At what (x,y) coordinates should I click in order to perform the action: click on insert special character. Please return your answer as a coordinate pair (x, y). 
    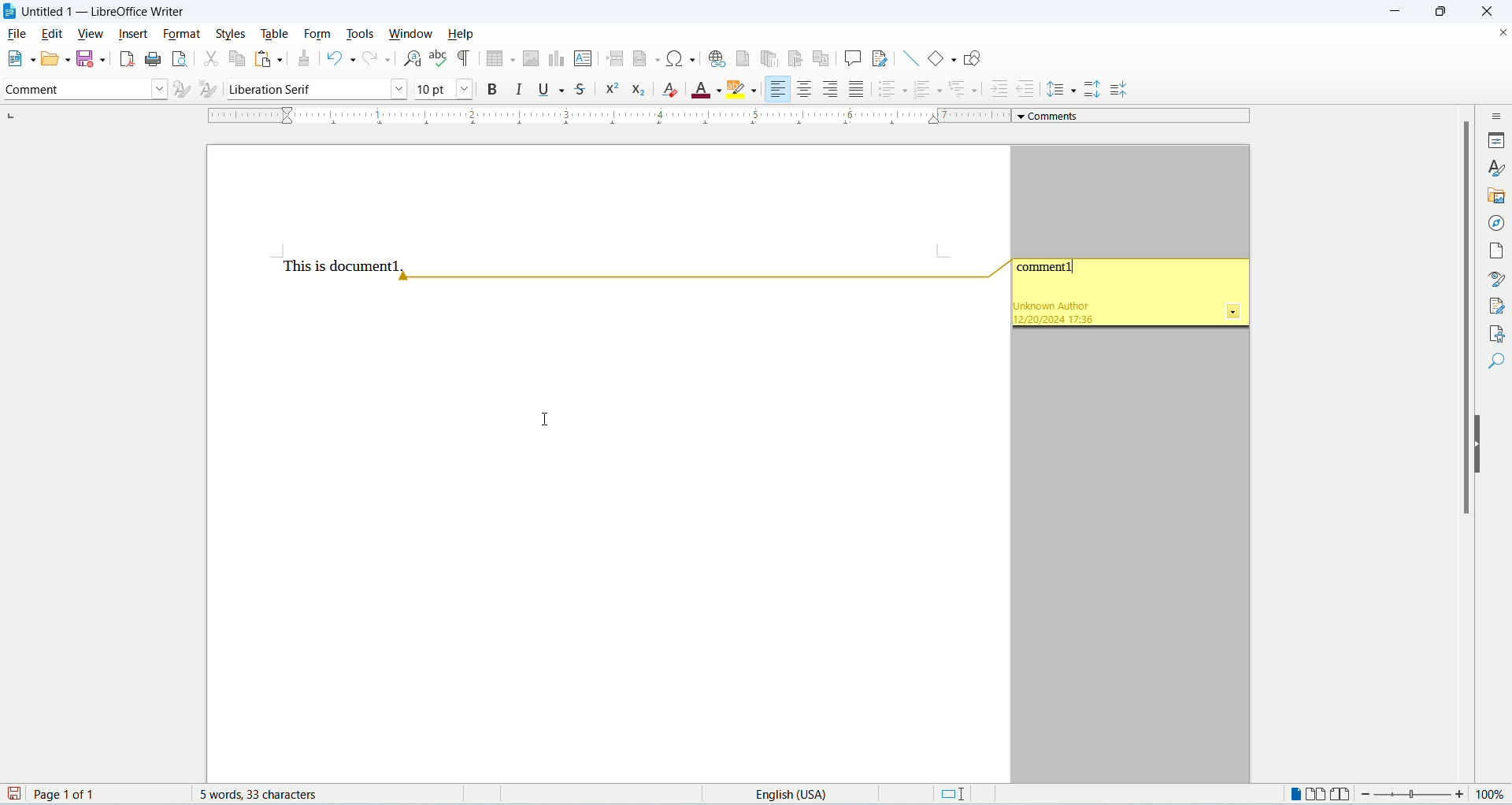
    Looking at the image, I should click on (683, 58).